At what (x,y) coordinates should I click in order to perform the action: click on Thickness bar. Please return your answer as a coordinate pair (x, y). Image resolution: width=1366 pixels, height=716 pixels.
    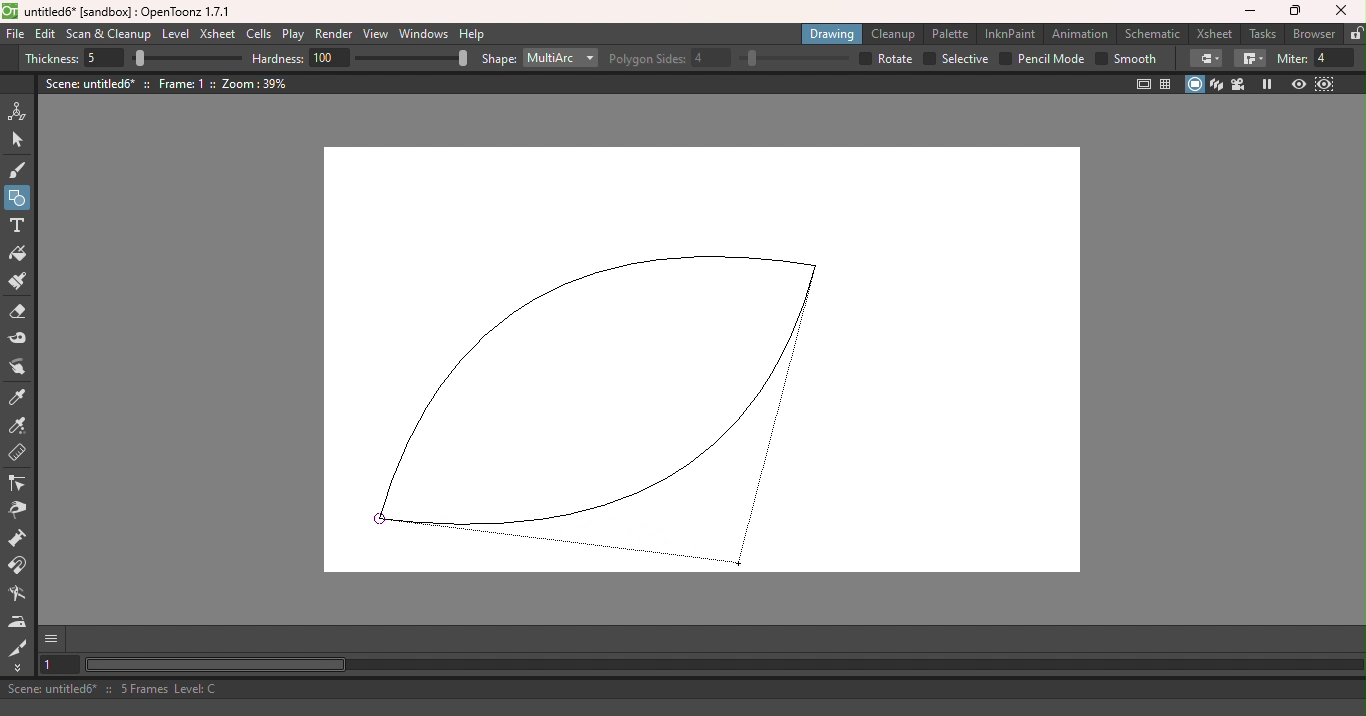
    Looking at the image, I should click on (186, 57).